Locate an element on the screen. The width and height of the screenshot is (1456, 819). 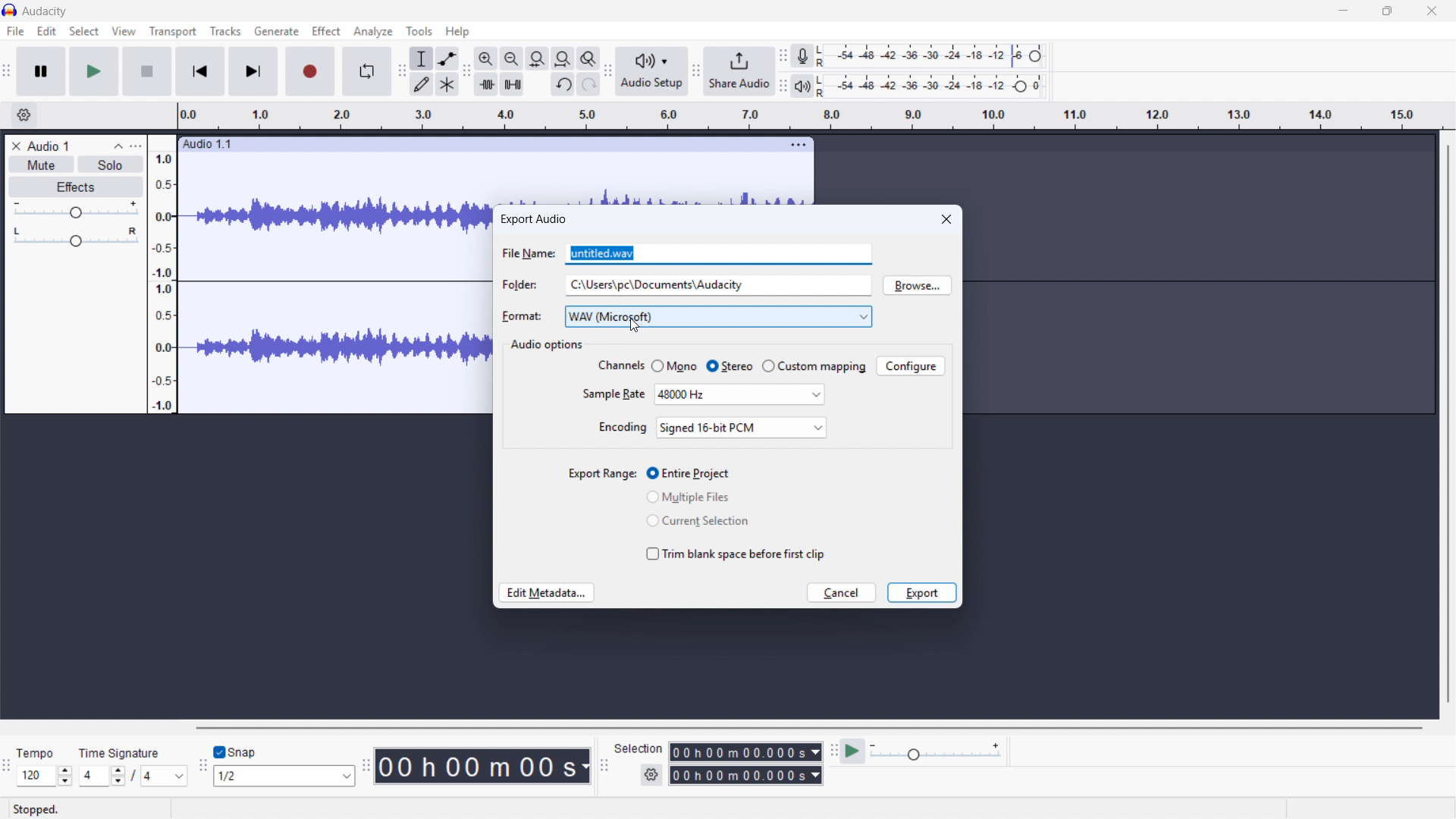
sample rate is located at coordinates (613, 394).